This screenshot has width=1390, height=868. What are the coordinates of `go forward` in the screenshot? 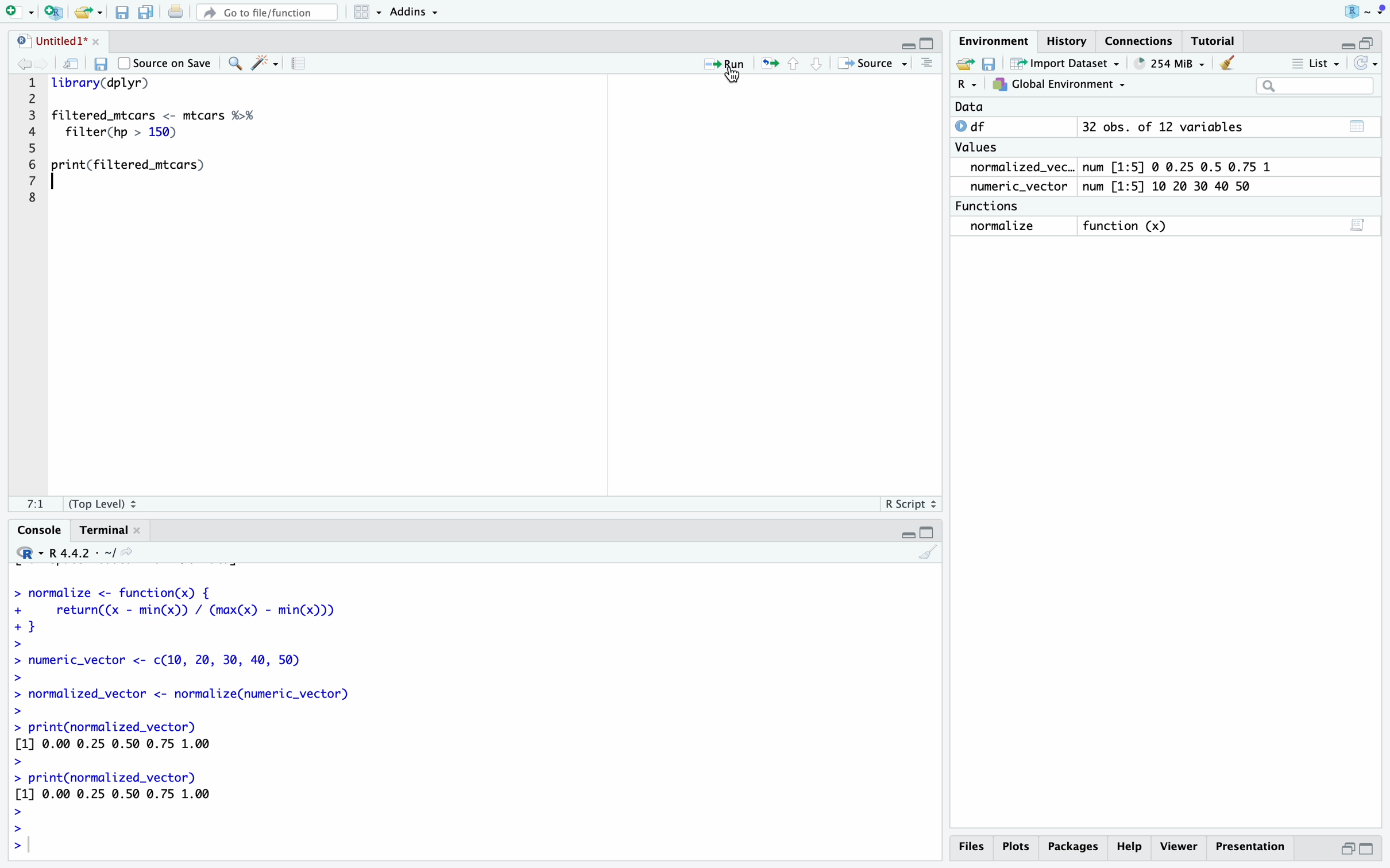 It's located at (41, 63).